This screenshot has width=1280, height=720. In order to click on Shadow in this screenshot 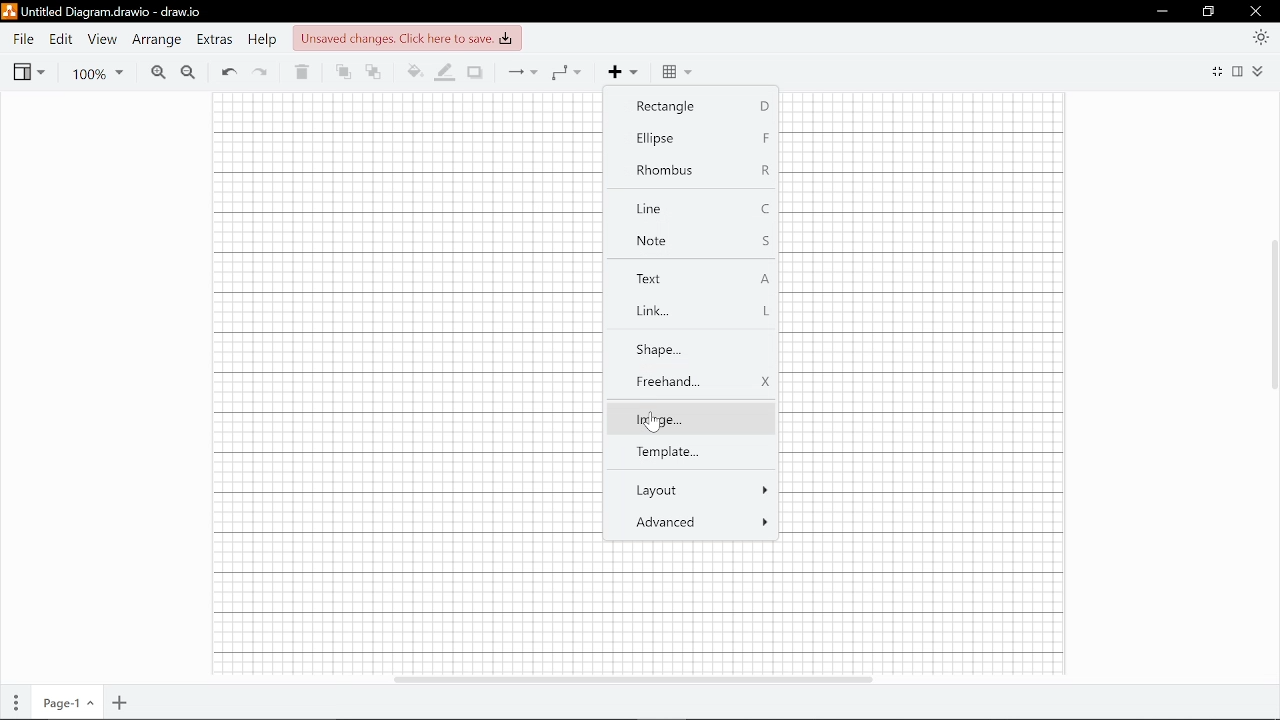, I will do `click(474, 72)`.